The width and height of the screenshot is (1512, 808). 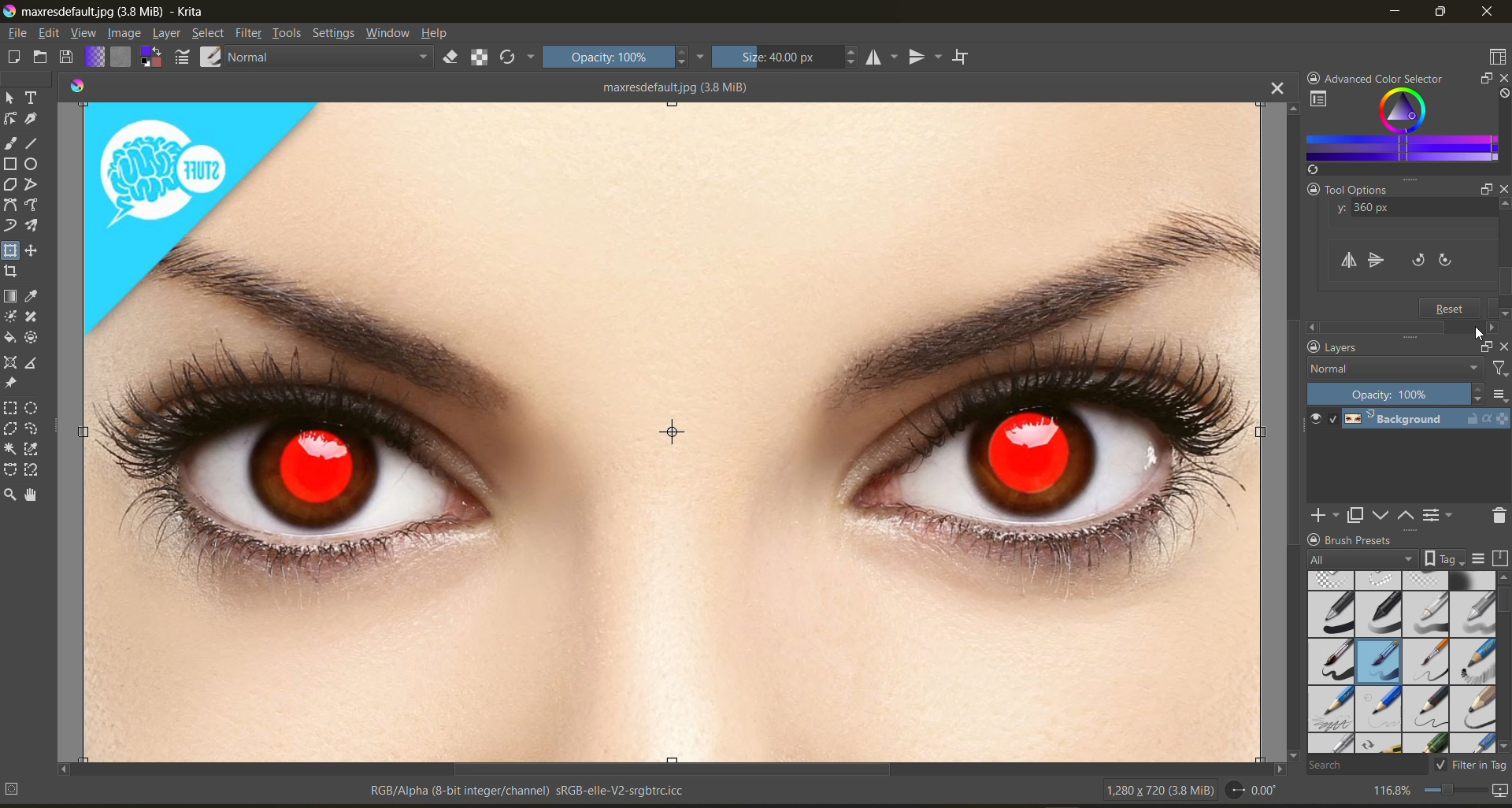 What do you see at coordinates (11, 164) in the screenshot?
I see `tool` at bounding box center [11, 164].